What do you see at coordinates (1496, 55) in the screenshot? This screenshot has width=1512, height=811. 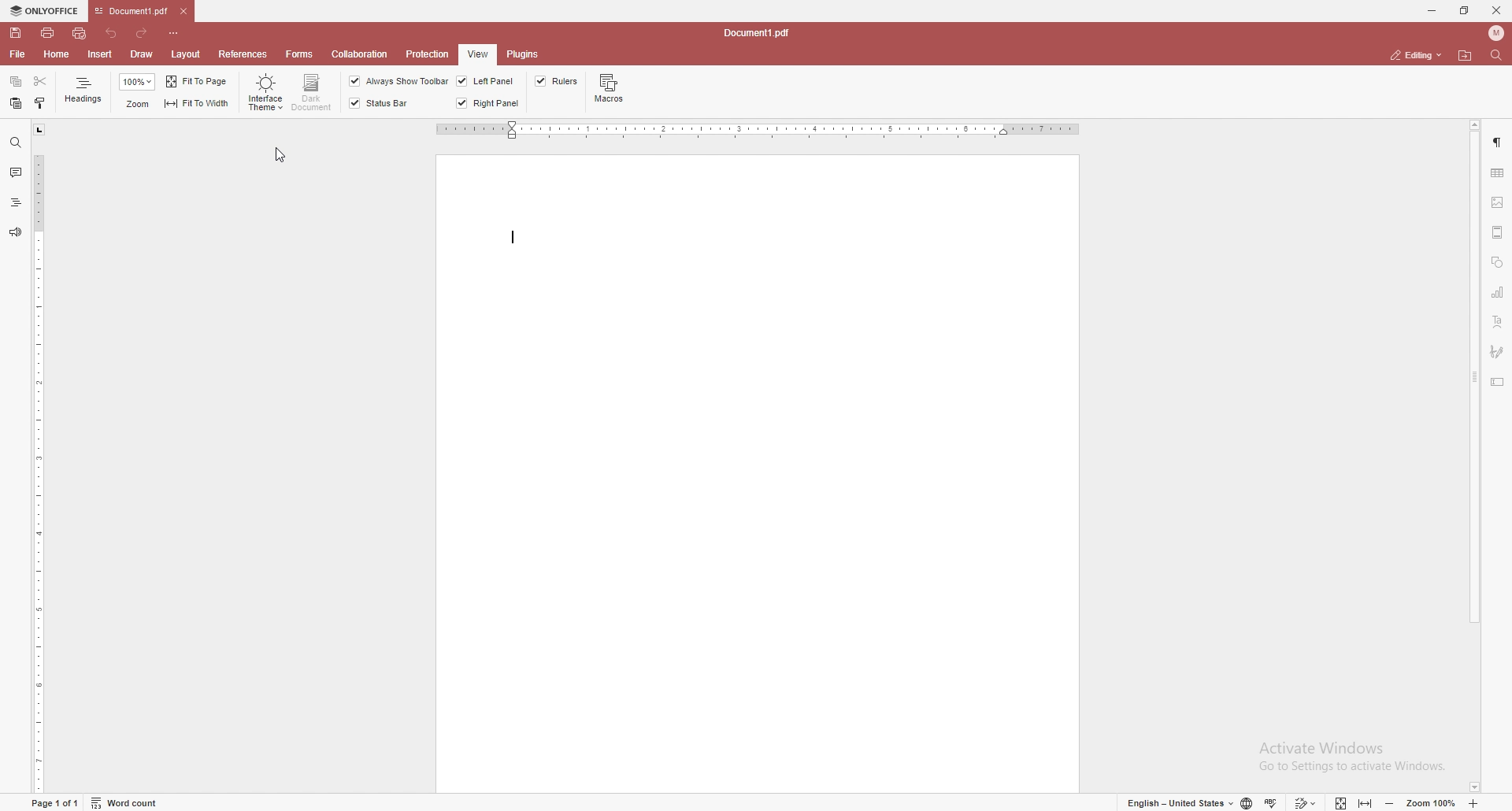 I see `find` at bounding box center [1496, 55].